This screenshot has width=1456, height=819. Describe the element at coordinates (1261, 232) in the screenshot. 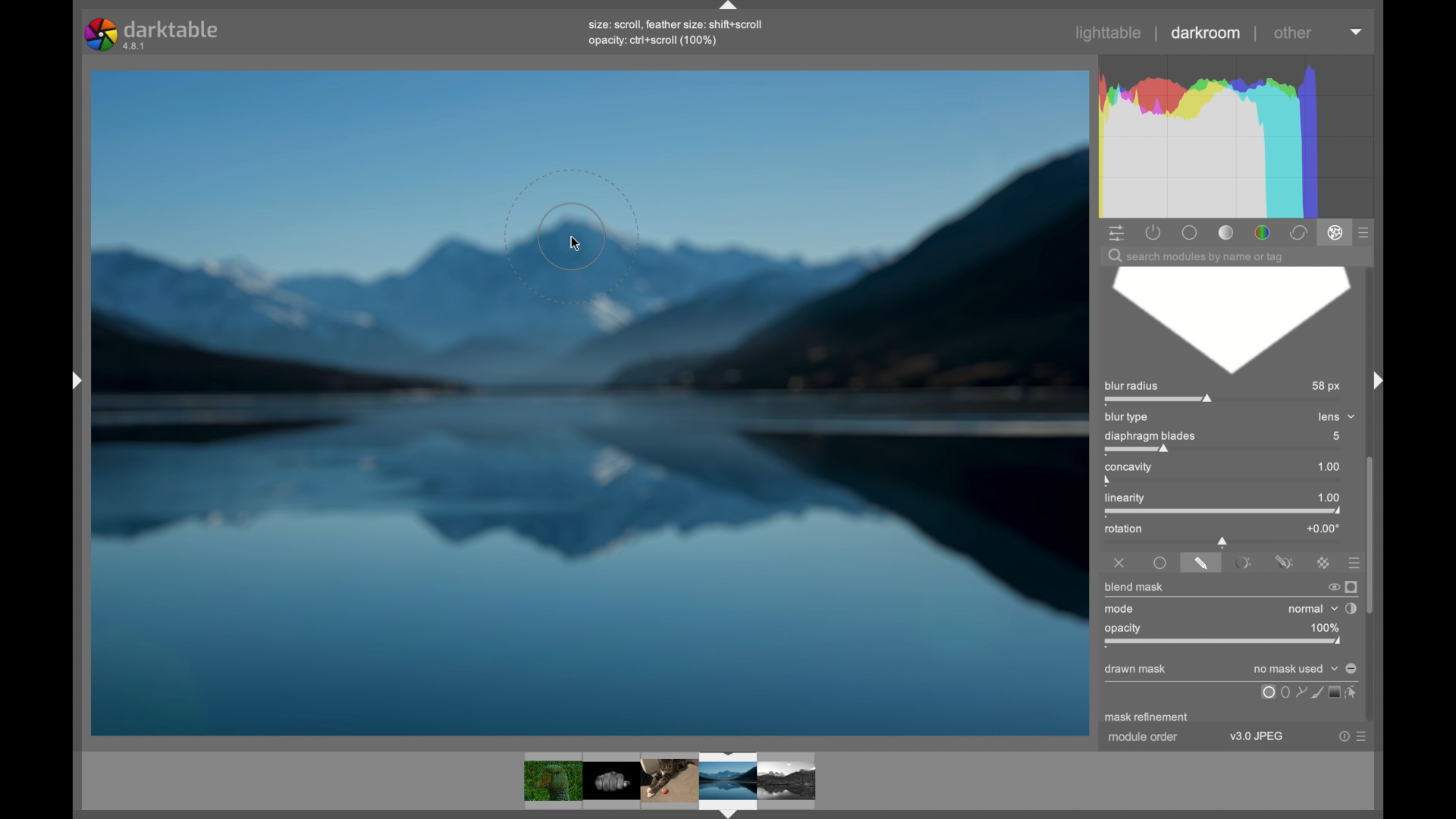

I see `color` at that location.